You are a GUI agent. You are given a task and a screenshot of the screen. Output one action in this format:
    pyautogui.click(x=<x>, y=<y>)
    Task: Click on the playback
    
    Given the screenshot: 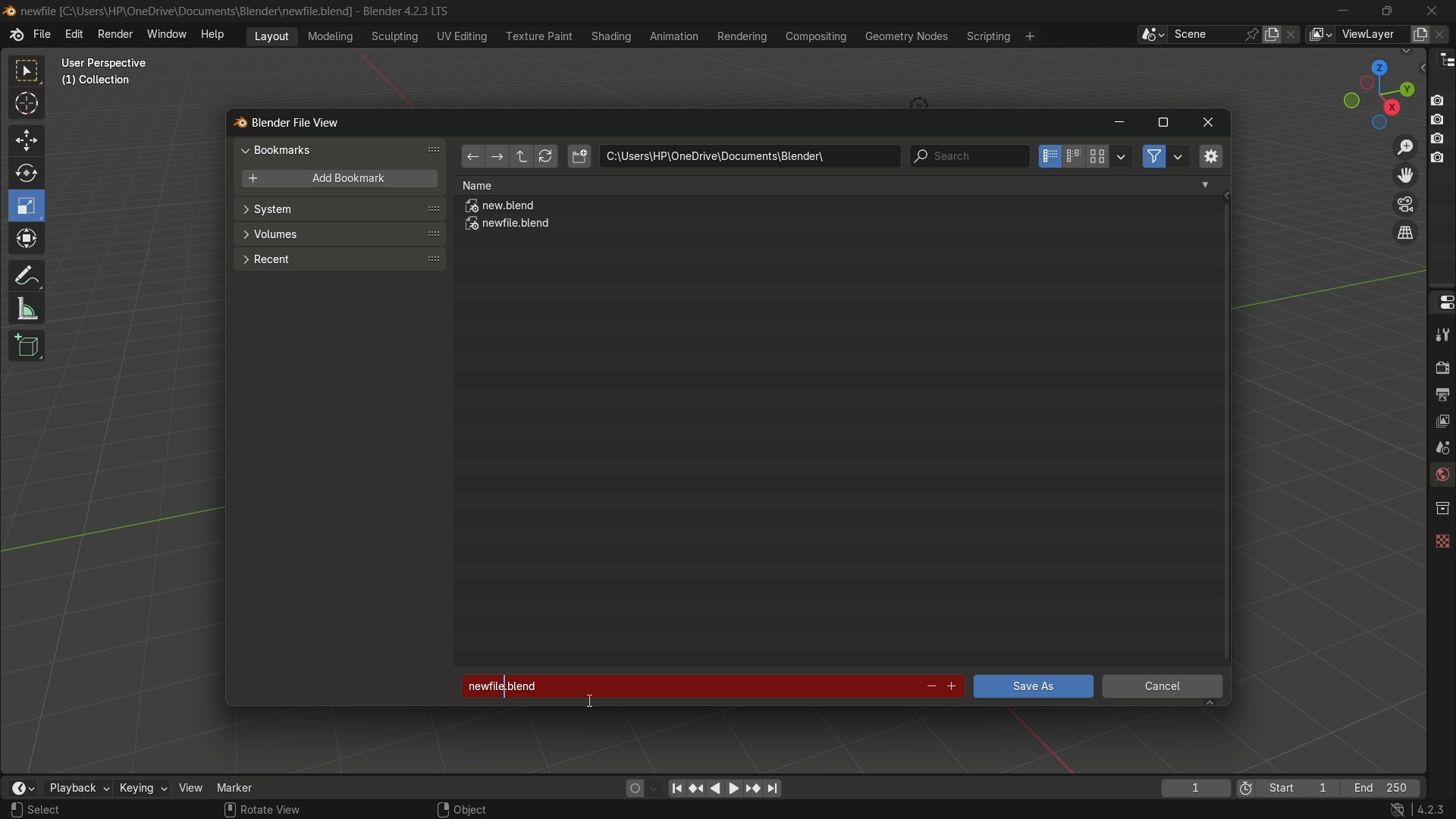 What is the action you would take?
    pyautogui.click(x=77, y=788)
    